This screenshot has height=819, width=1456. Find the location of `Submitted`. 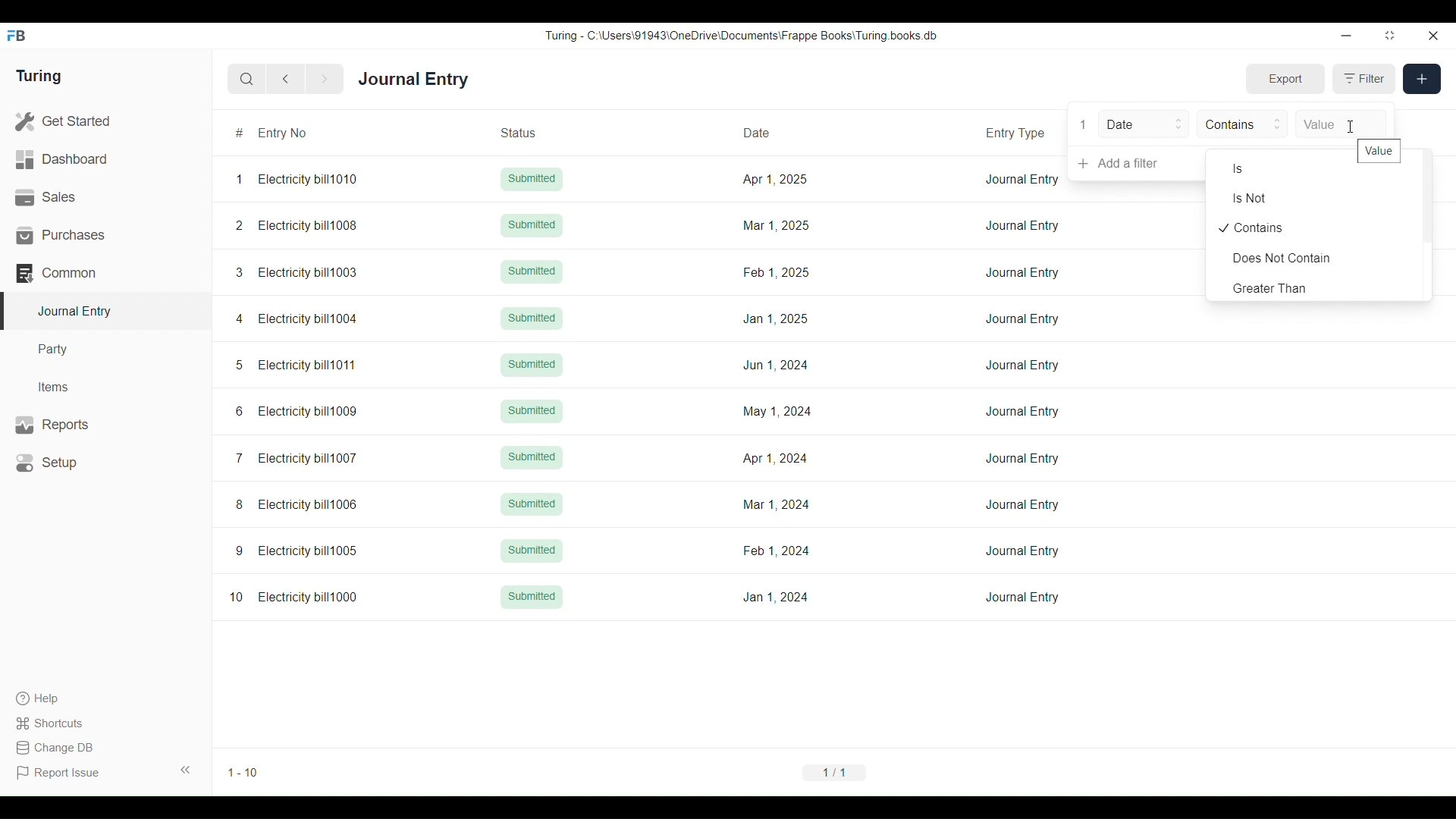

Submitted is located at coordinates (532, 412).